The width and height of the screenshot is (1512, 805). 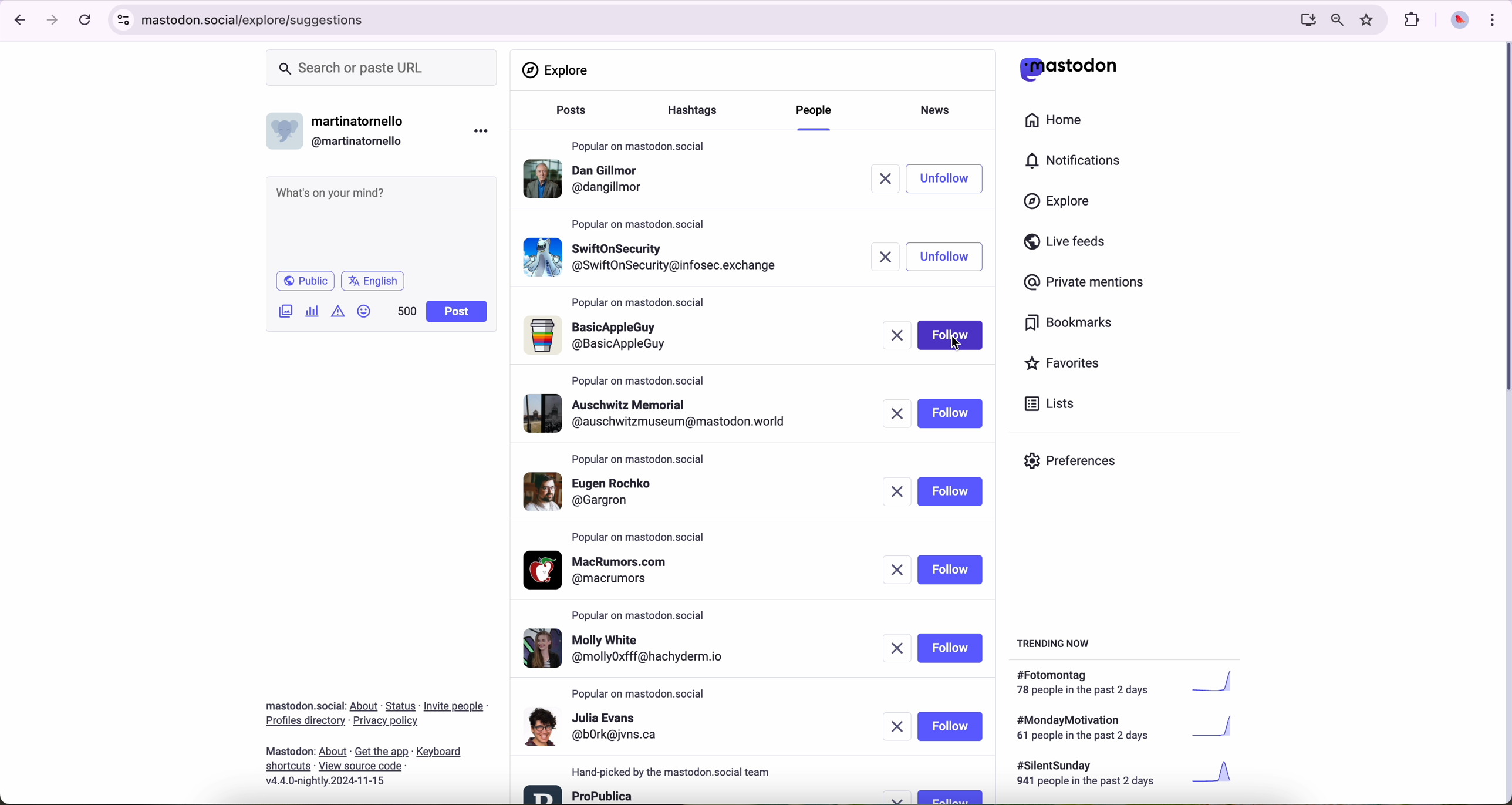 What do you see at coordinates (639, 143) in the screenshot?
I see `popular on mastodon.social` at bounding box center [639, 143].